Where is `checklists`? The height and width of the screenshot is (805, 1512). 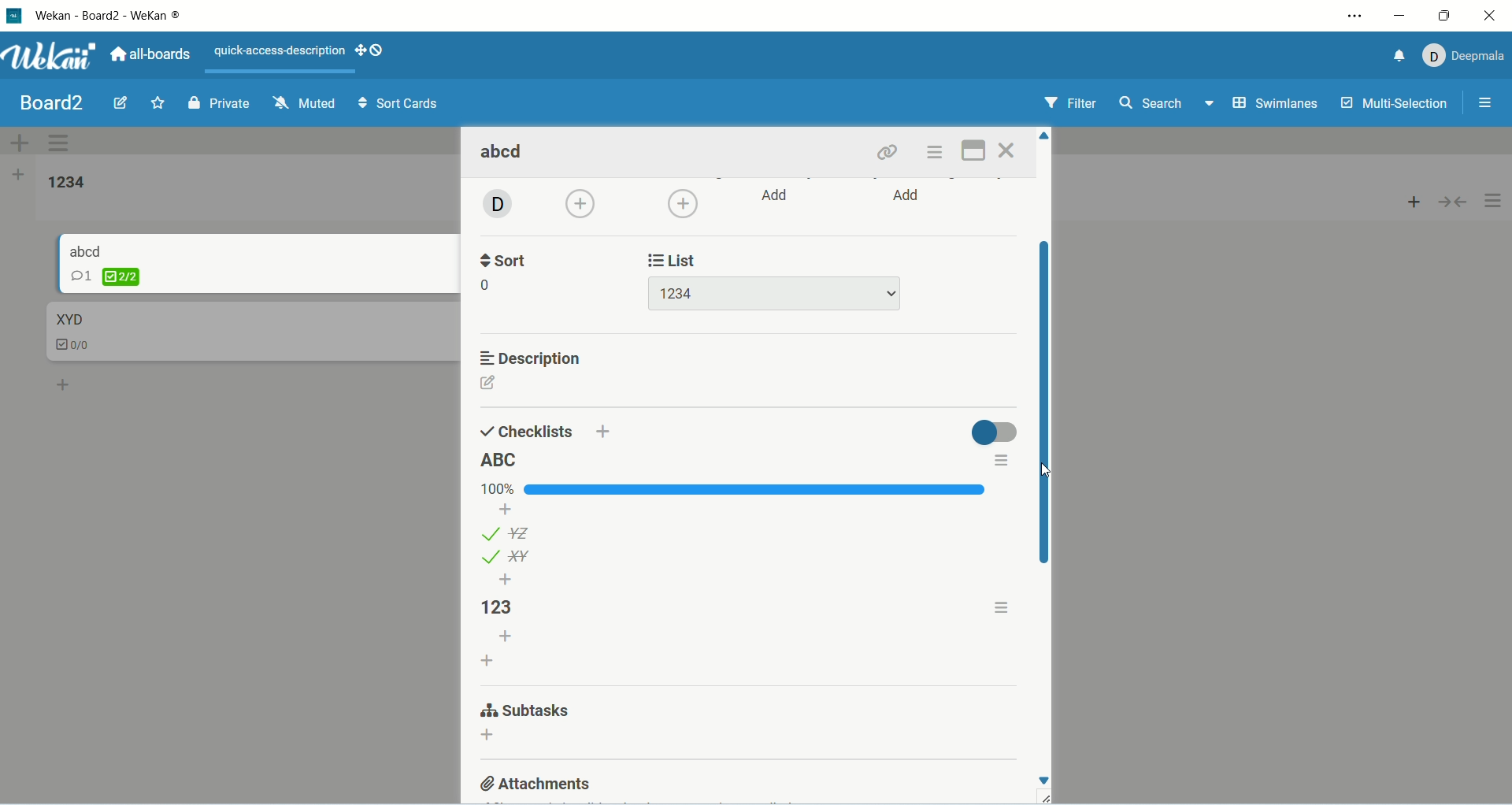 checklists is located at coordinates (527, 430).